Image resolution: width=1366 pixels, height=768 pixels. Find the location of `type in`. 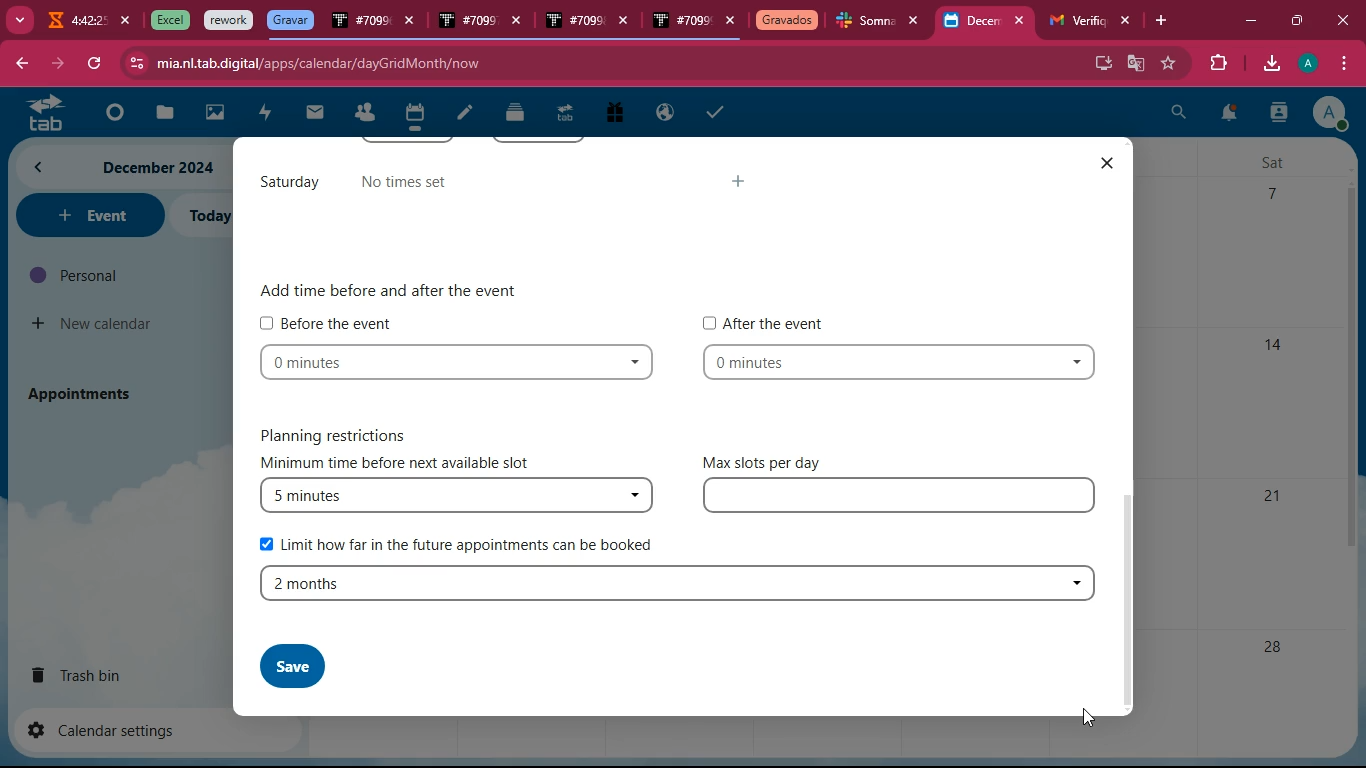

type in is located at coordinates (892, 495).